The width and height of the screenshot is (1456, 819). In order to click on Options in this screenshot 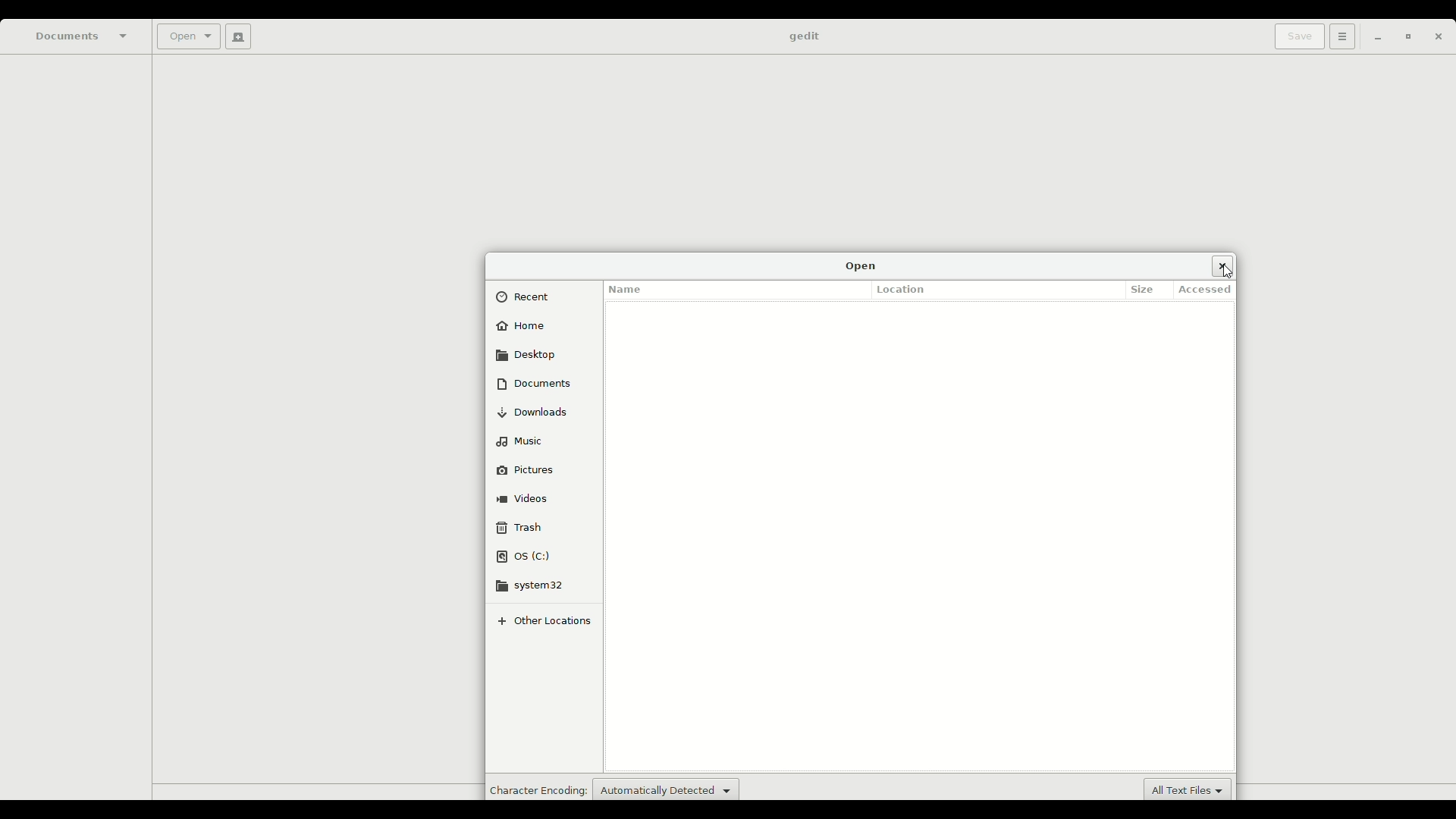, I will do `click(1340, 36)`.